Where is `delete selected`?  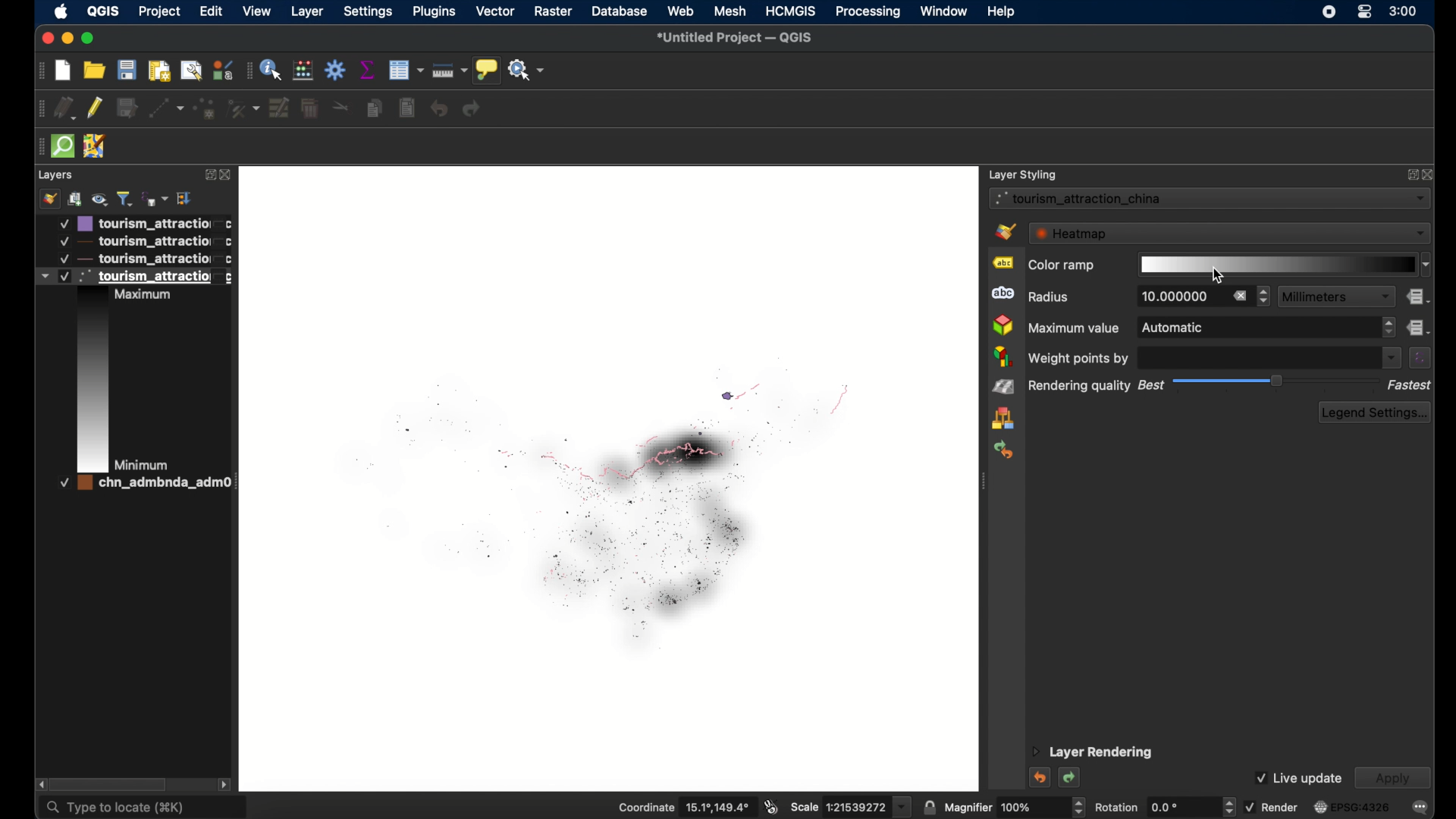 delete selected is located at coordinates (309, 108).